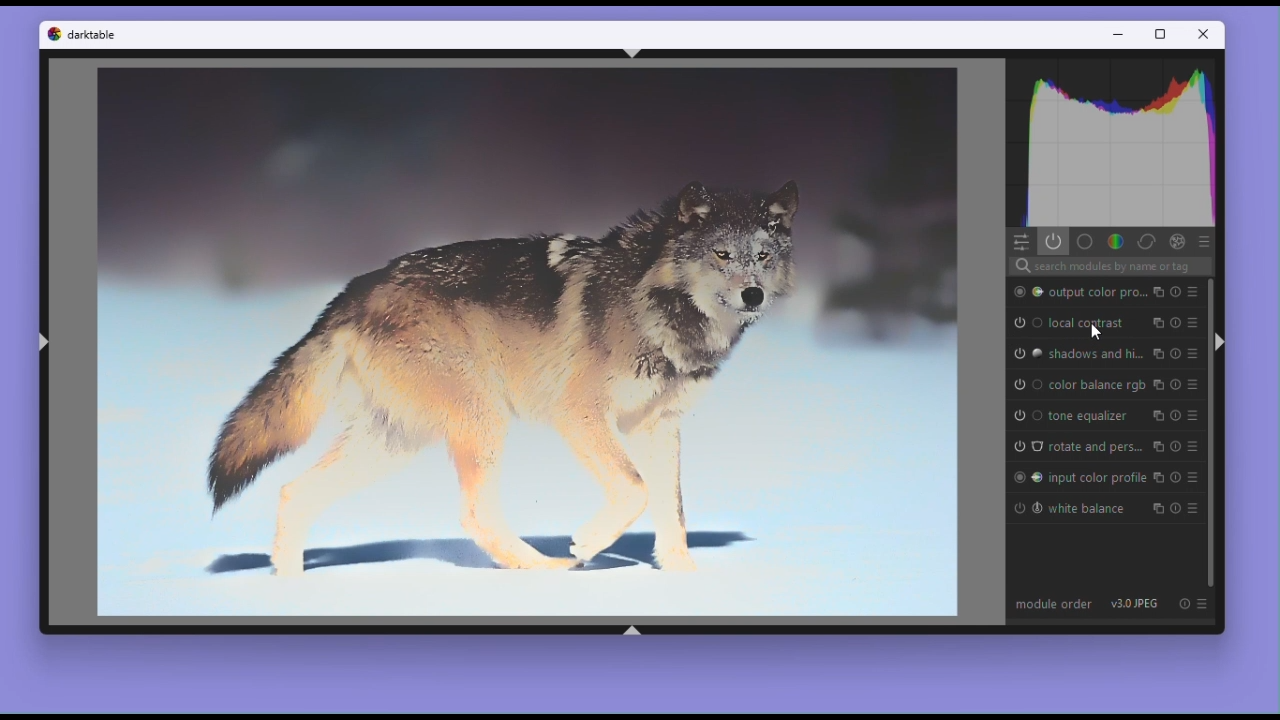  Describe the element at coordinates (1084, 242) in the screenshot. I see `base` at that location.